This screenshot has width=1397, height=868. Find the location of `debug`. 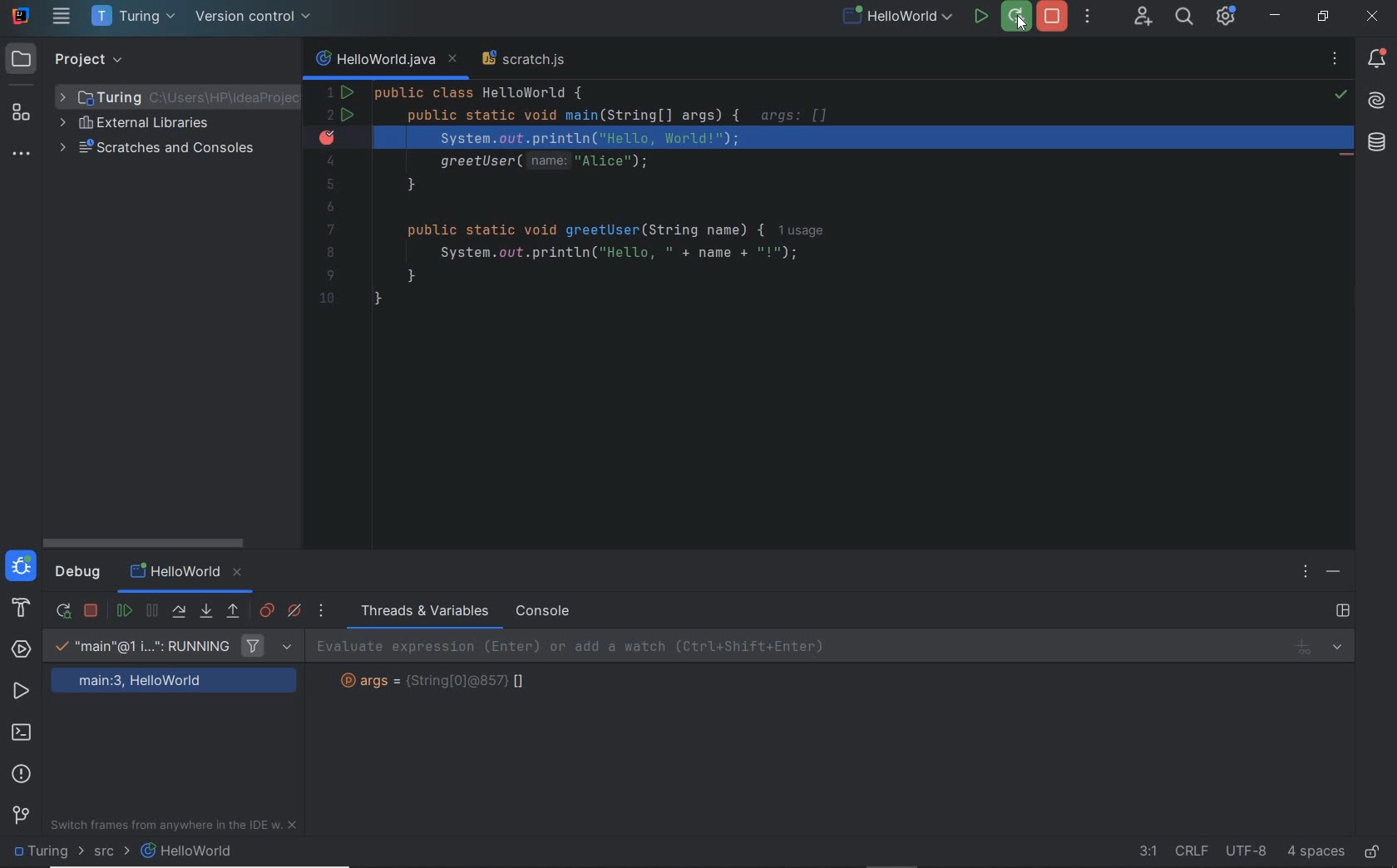

debug is located at coordinates (22, 569).